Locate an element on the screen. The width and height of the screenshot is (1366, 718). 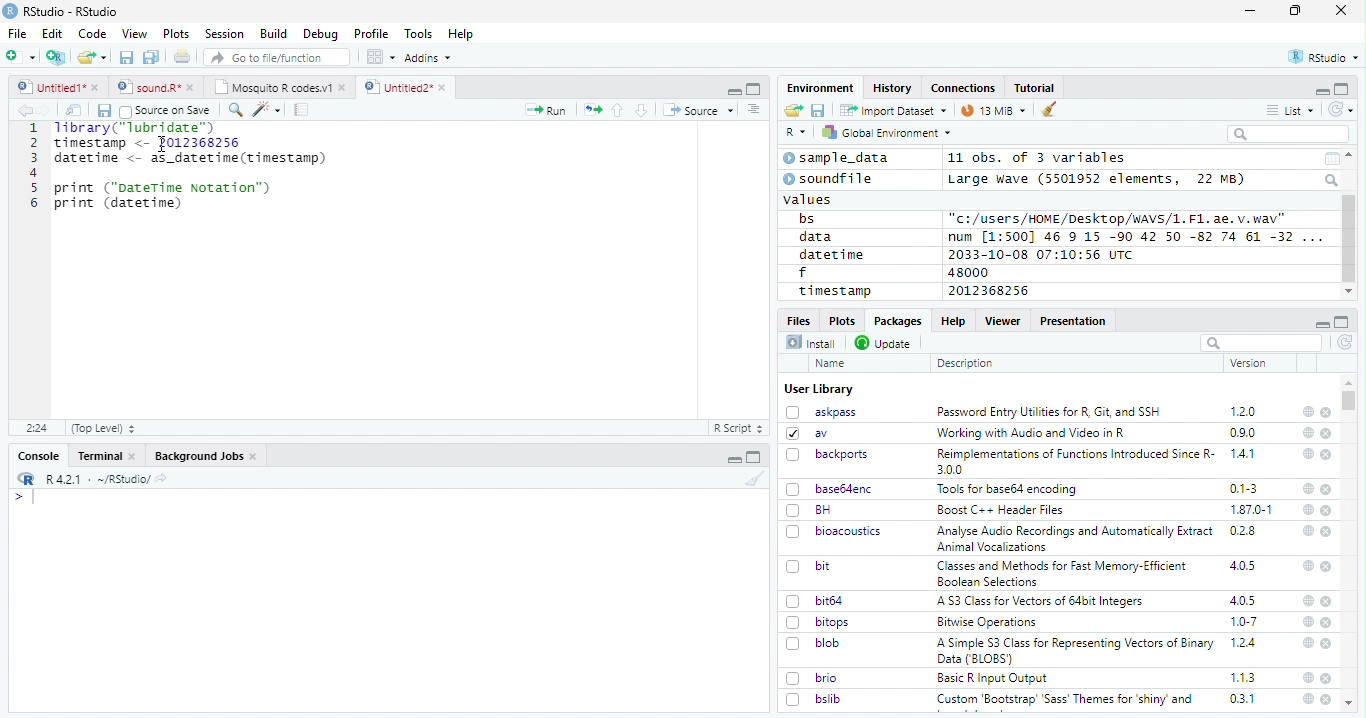
Refresh is located at coordinates (1342, 109).